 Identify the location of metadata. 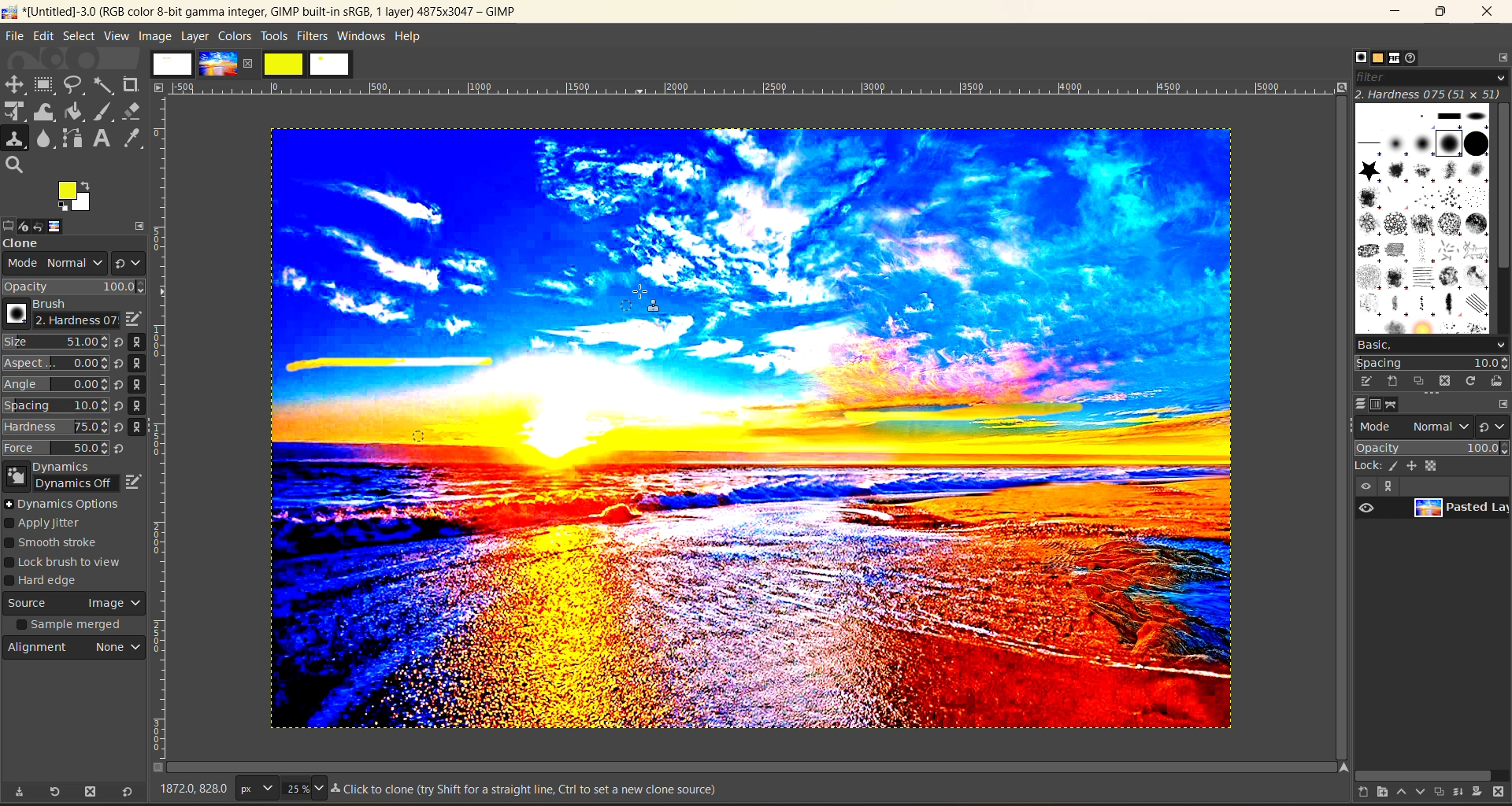
(528, 791).